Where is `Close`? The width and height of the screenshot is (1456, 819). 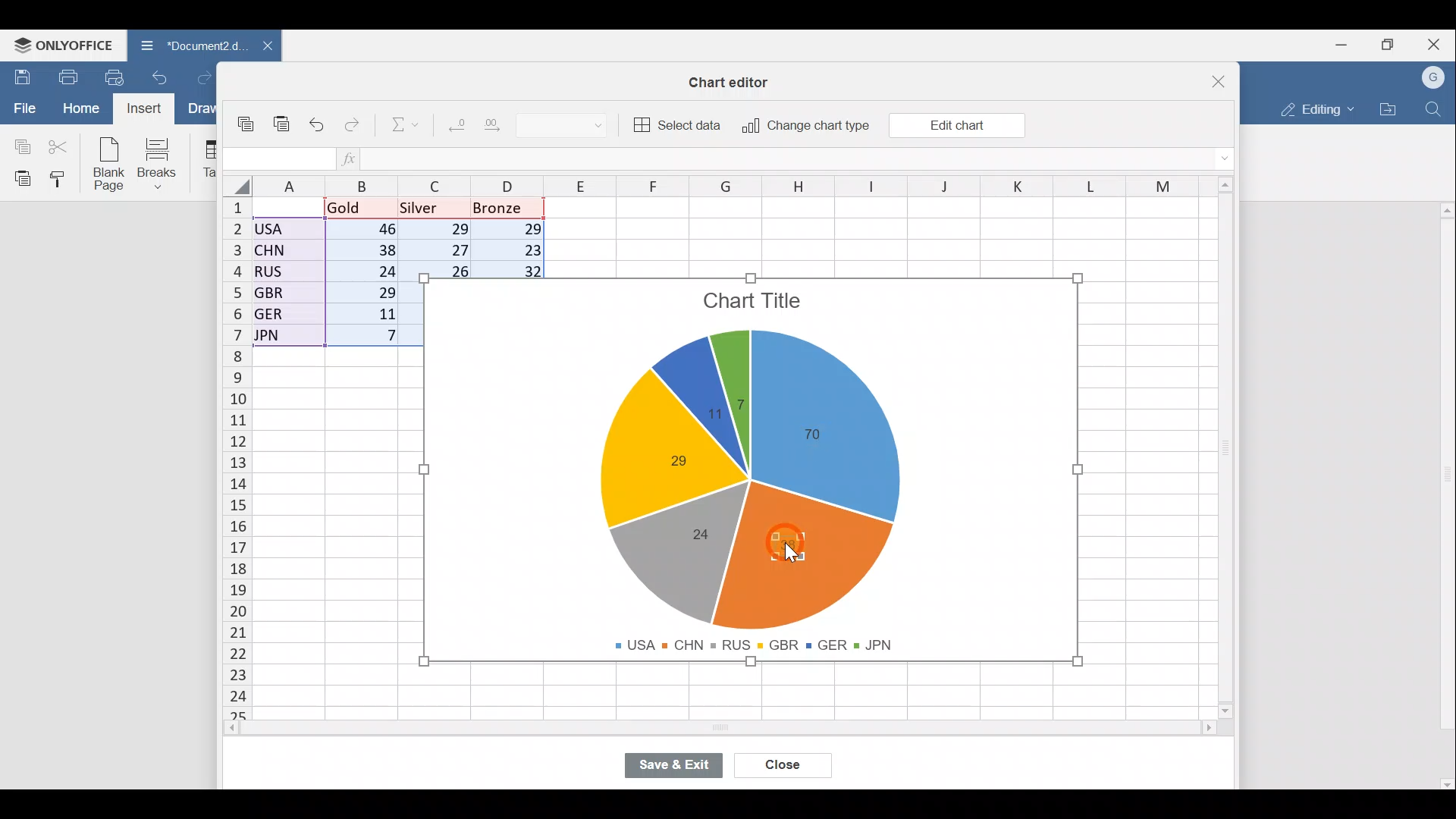
Close is located at coordinates (1225, 80).